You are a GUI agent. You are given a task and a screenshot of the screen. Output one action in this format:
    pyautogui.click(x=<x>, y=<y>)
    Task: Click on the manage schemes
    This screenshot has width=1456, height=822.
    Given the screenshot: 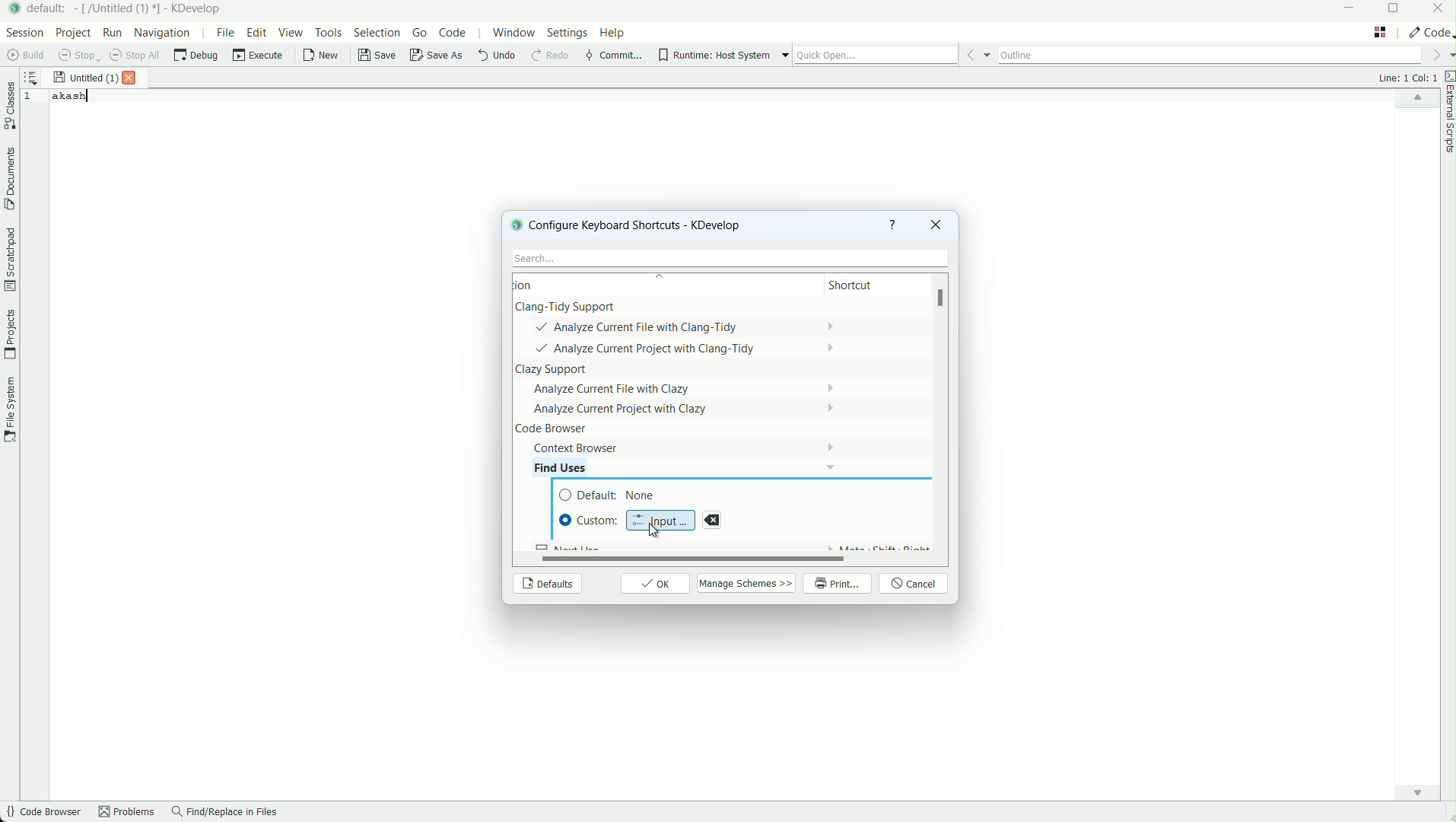 What is the action you would take?
    pyautogui.click(x=748, y=583)
    